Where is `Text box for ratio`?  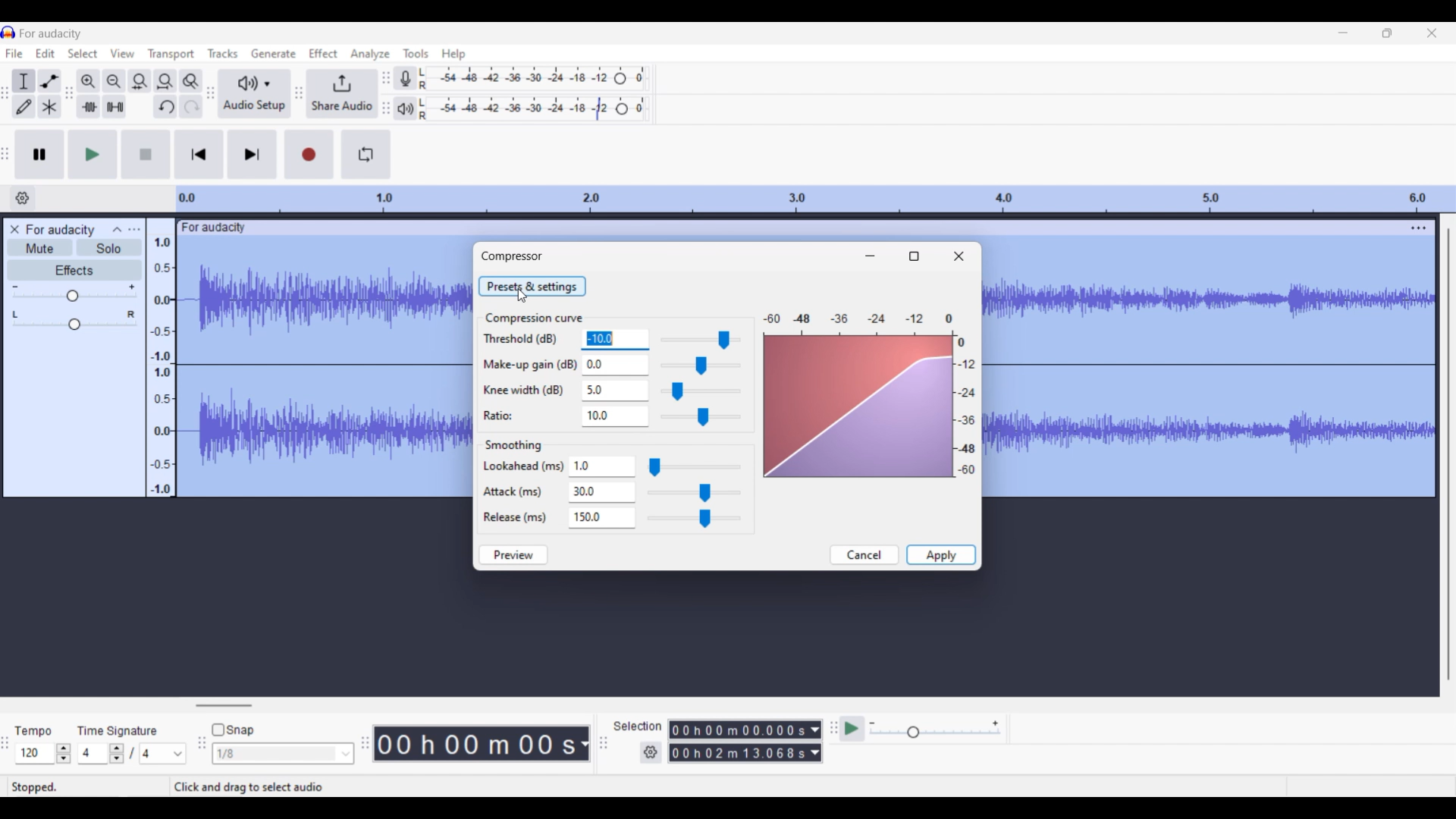
Text box for ratio is located at coordinates (613, 416).